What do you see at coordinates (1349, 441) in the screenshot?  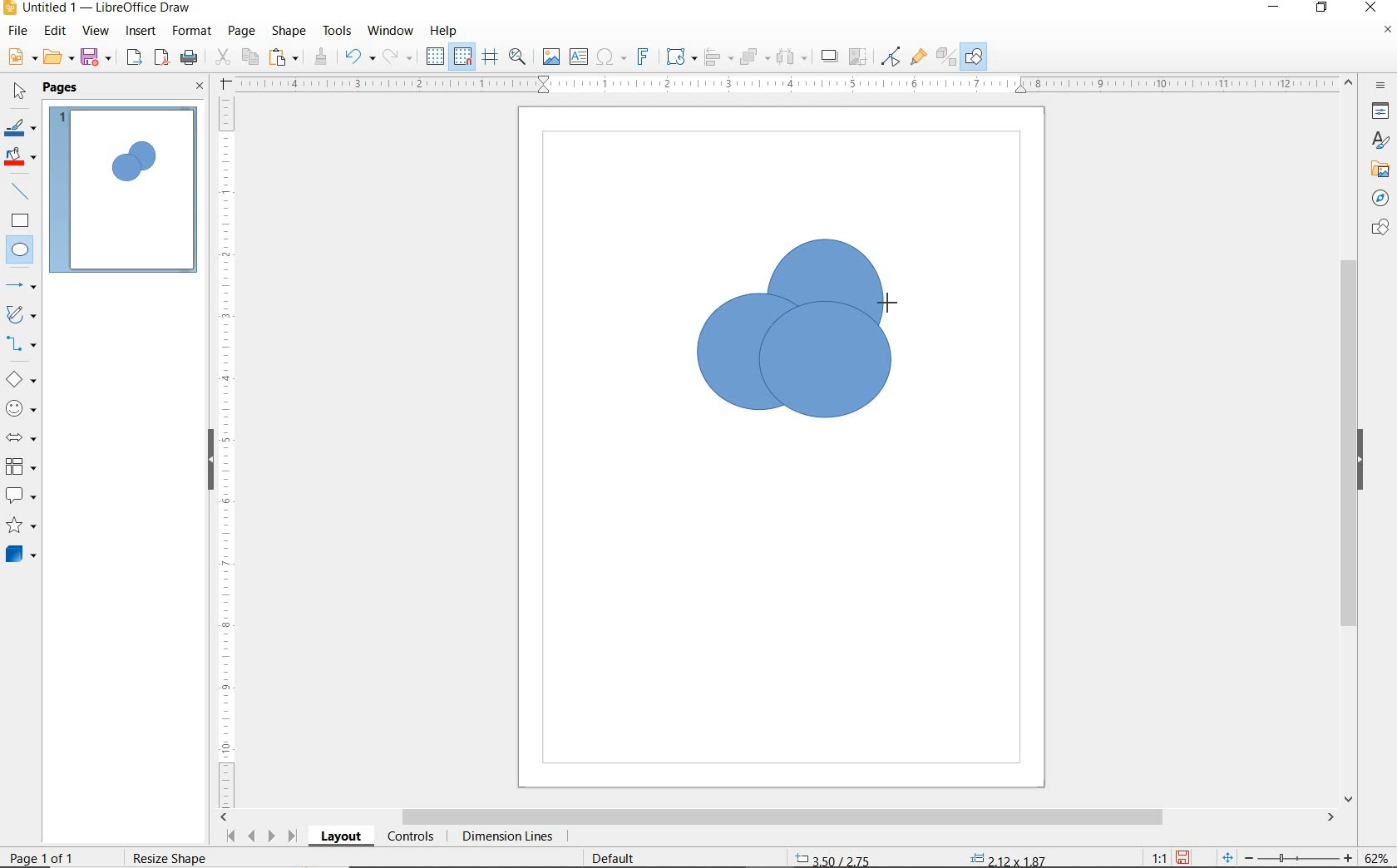 I see `SCROLLBAR` at bounding box center [1349, 441].